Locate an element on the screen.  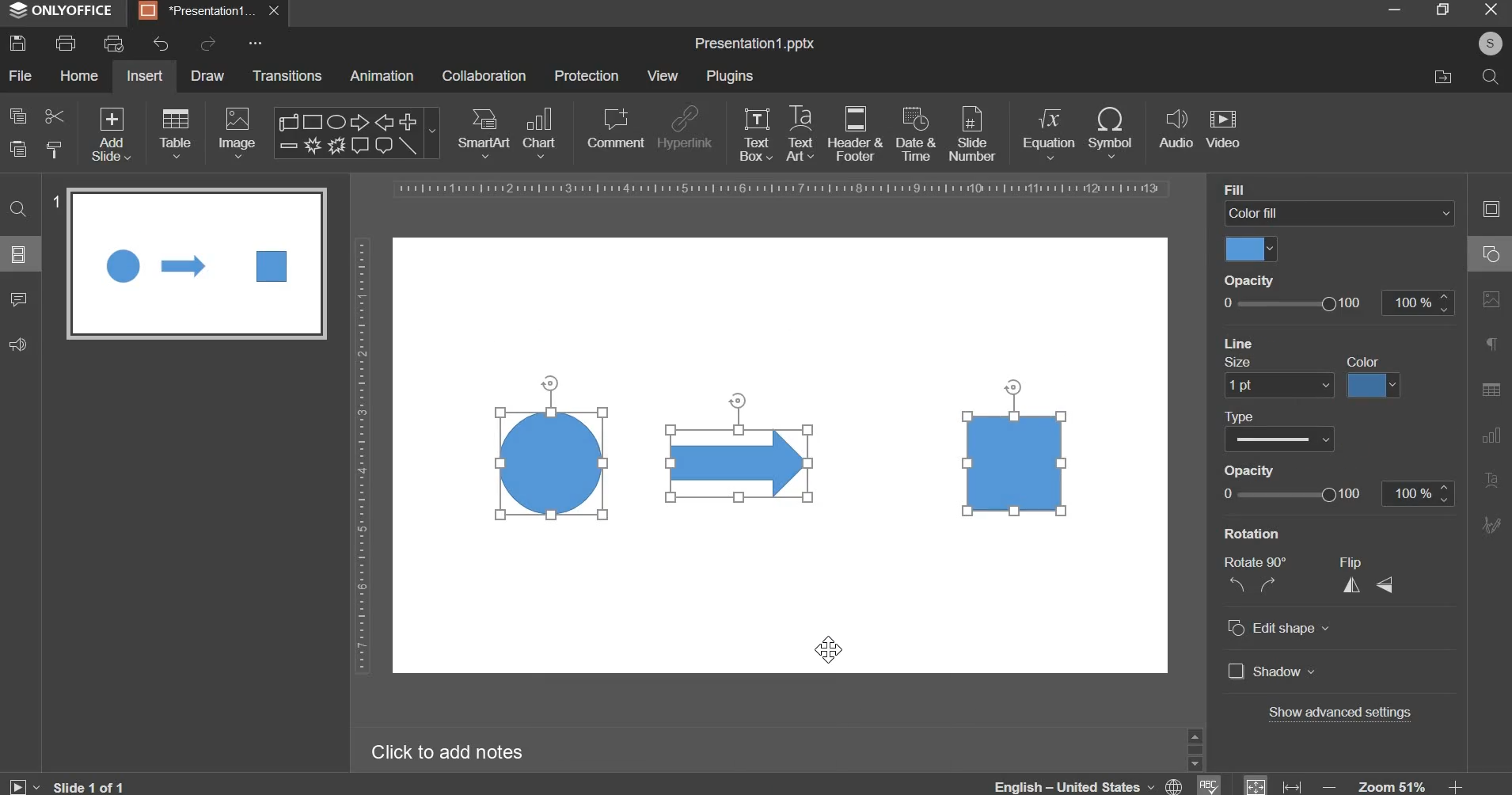
save is located at coordinates (17, 43).